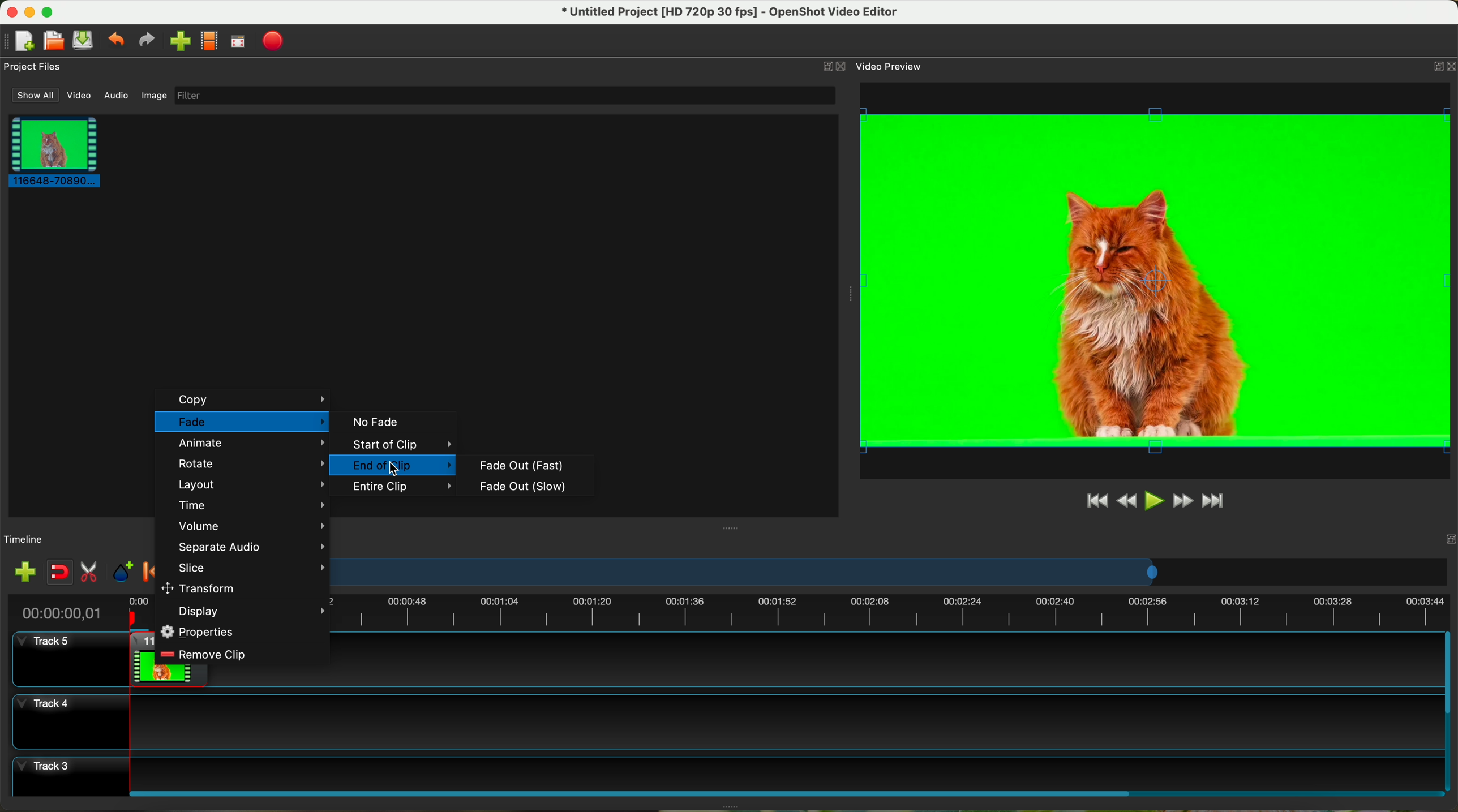 The height and width of the screenshot is (812, 1458). What do you see at coordinates (123, 572) in the screenshot?
I see `add mark` at bounding box center [123, 572].